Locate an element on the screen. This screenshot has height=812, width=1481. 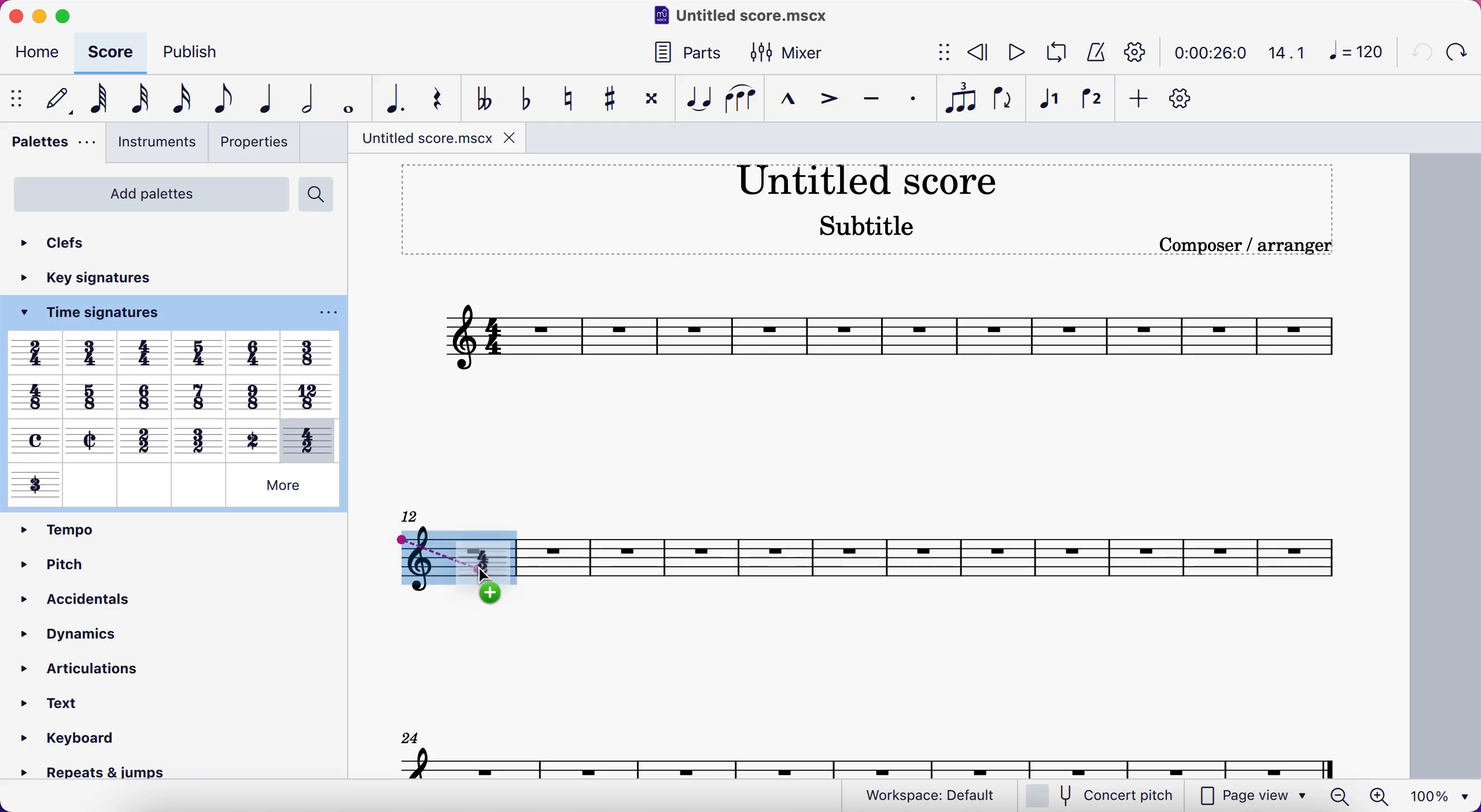
metronome is located at coordinates (1092, 53).